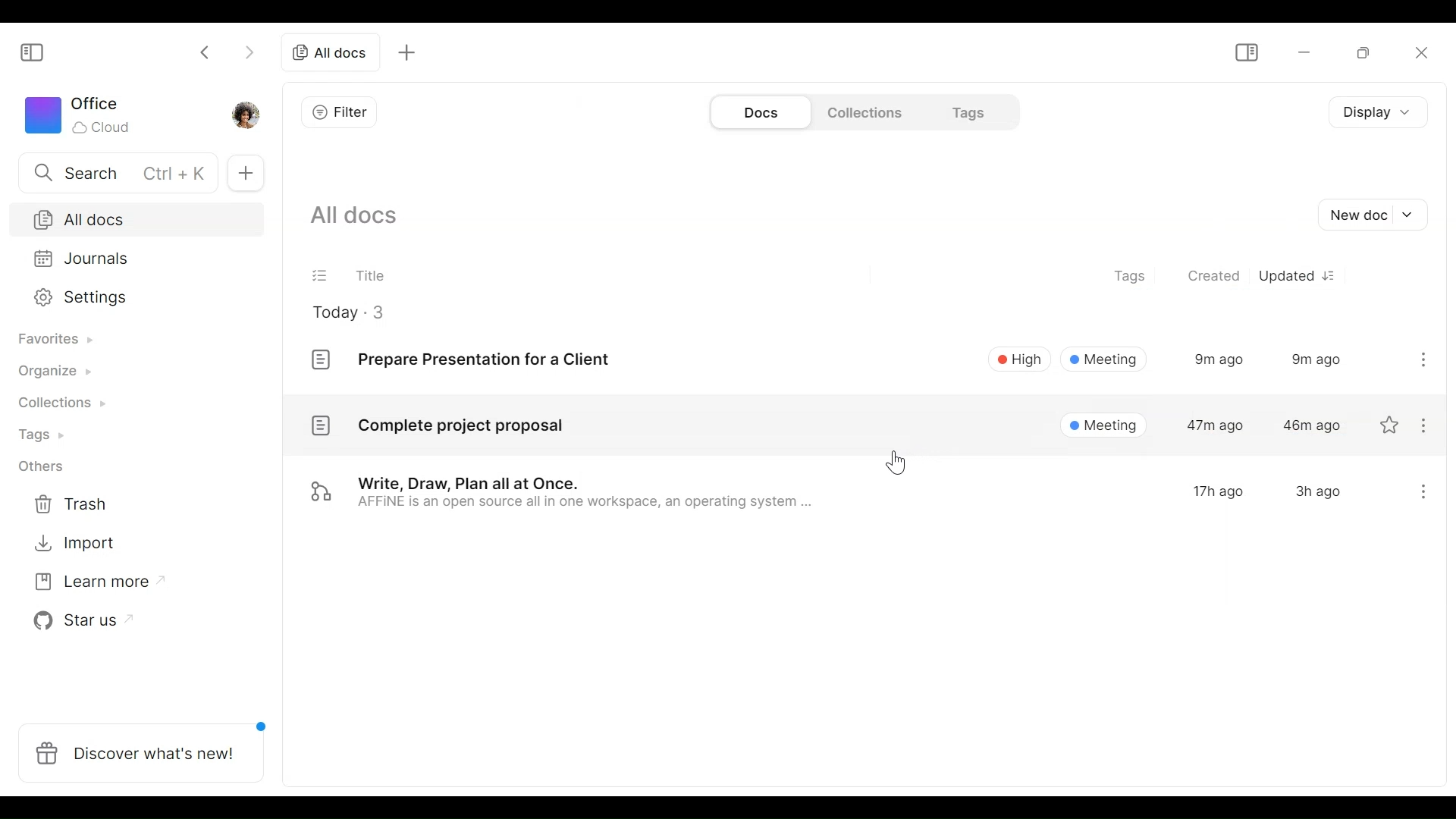 Image resolution: width=1456 pixels, height=819 pixels. What do you see at coordinates (48, 469) in the screenshot?
I see `Others` at bounding box center [48, 469].